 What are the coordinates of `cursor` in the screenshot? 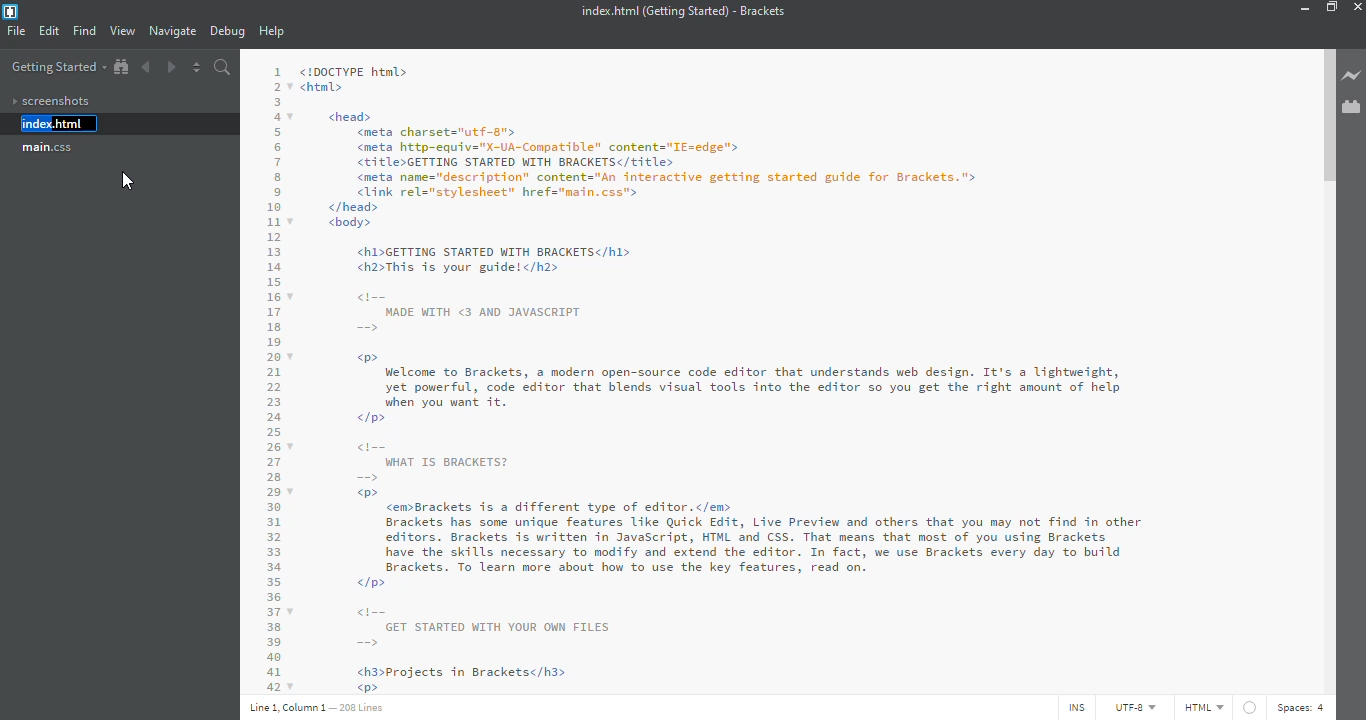 It's located at (131, 184).